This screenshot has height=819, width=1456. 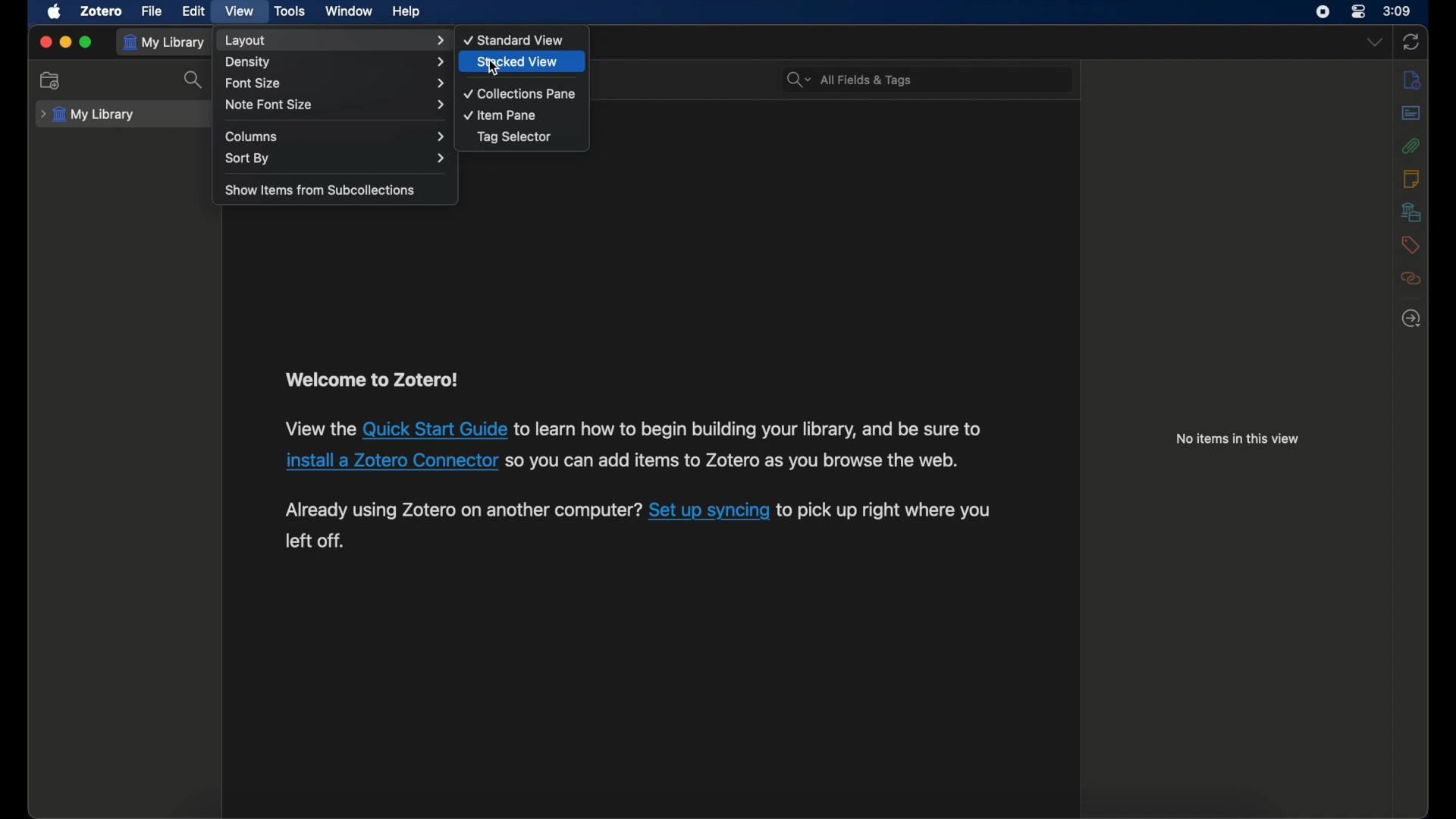 I want to click on search, so click(x=851, y=80).